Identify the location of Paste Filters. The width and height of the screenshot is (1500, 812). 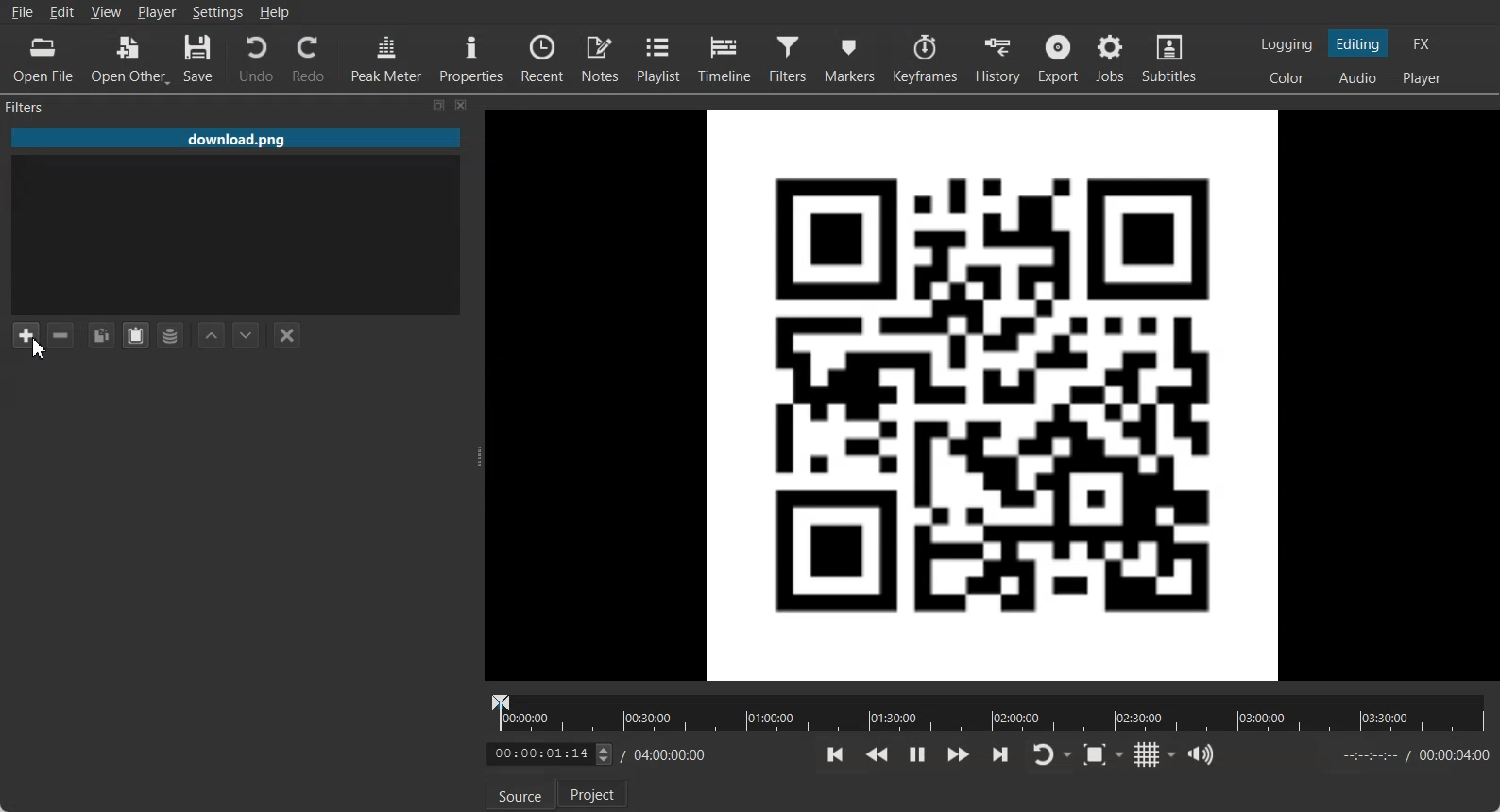
(136, 336).